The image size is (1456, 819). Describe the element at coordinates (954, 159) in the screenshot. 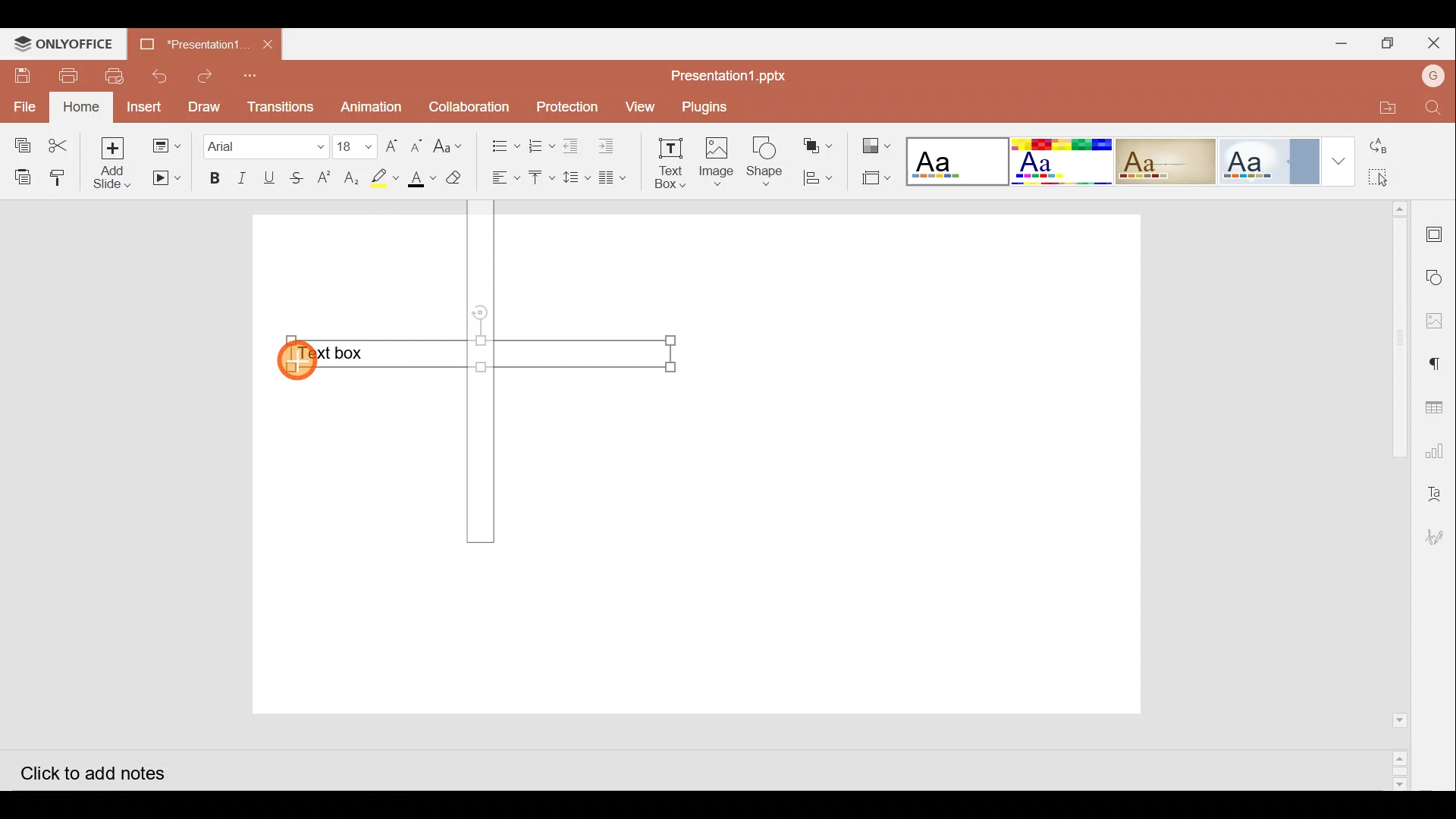

I see `Blank` at that location.